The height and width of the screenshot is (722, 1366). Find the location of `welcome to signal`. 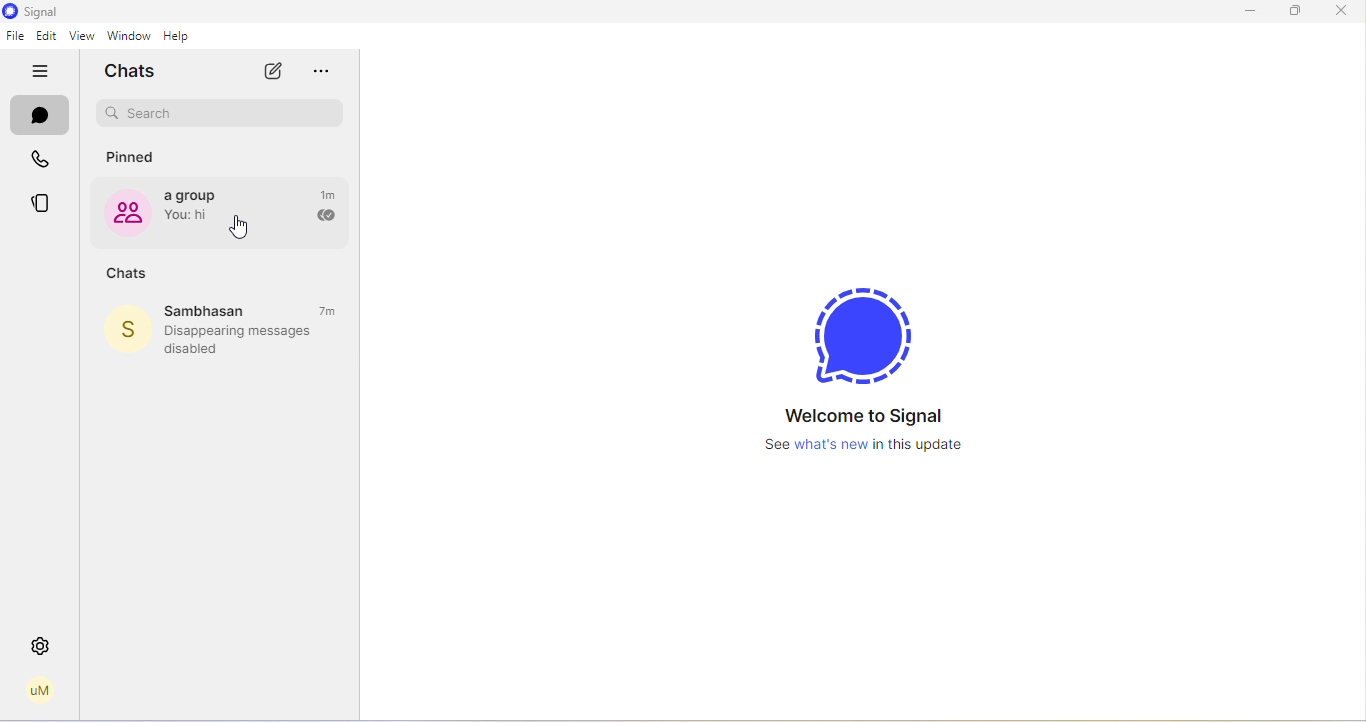

welcome to signal is located at coordinates (865, 353).